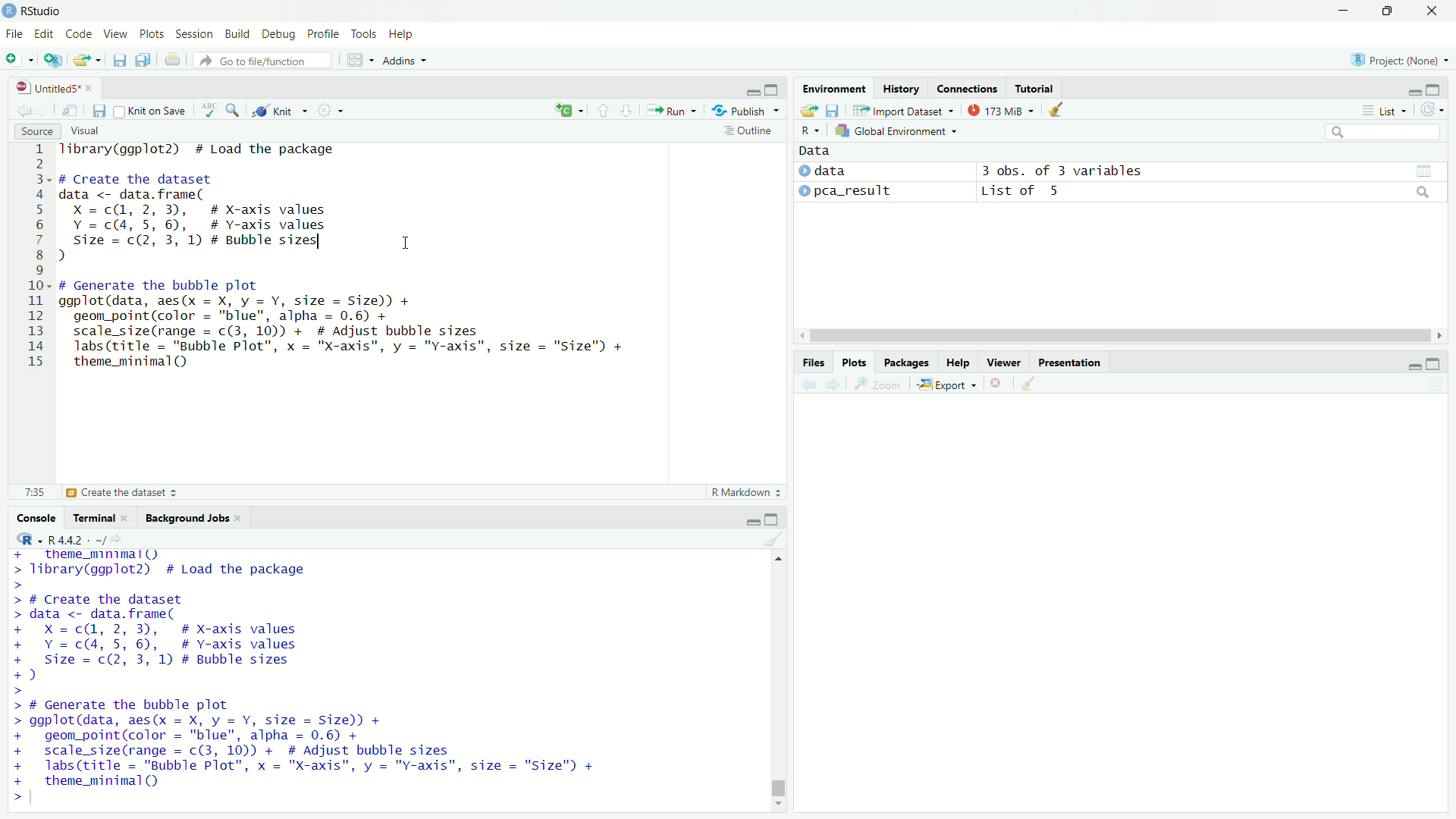 This screenshot has height=819, width=1456. Describe the element at coordinates (234, 108) in the screenshot. I see `find and replace` at that location.